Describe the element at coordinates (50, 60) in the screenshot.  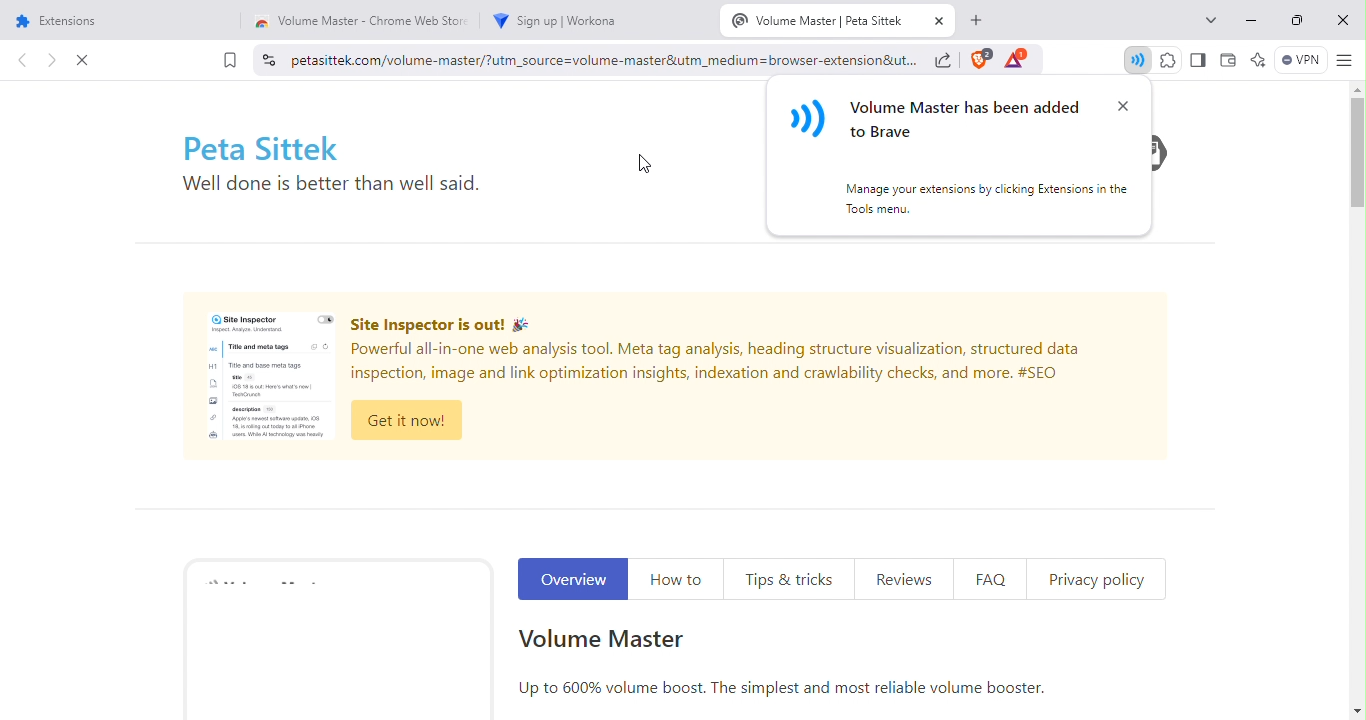
I see `click to go forward` at that location.